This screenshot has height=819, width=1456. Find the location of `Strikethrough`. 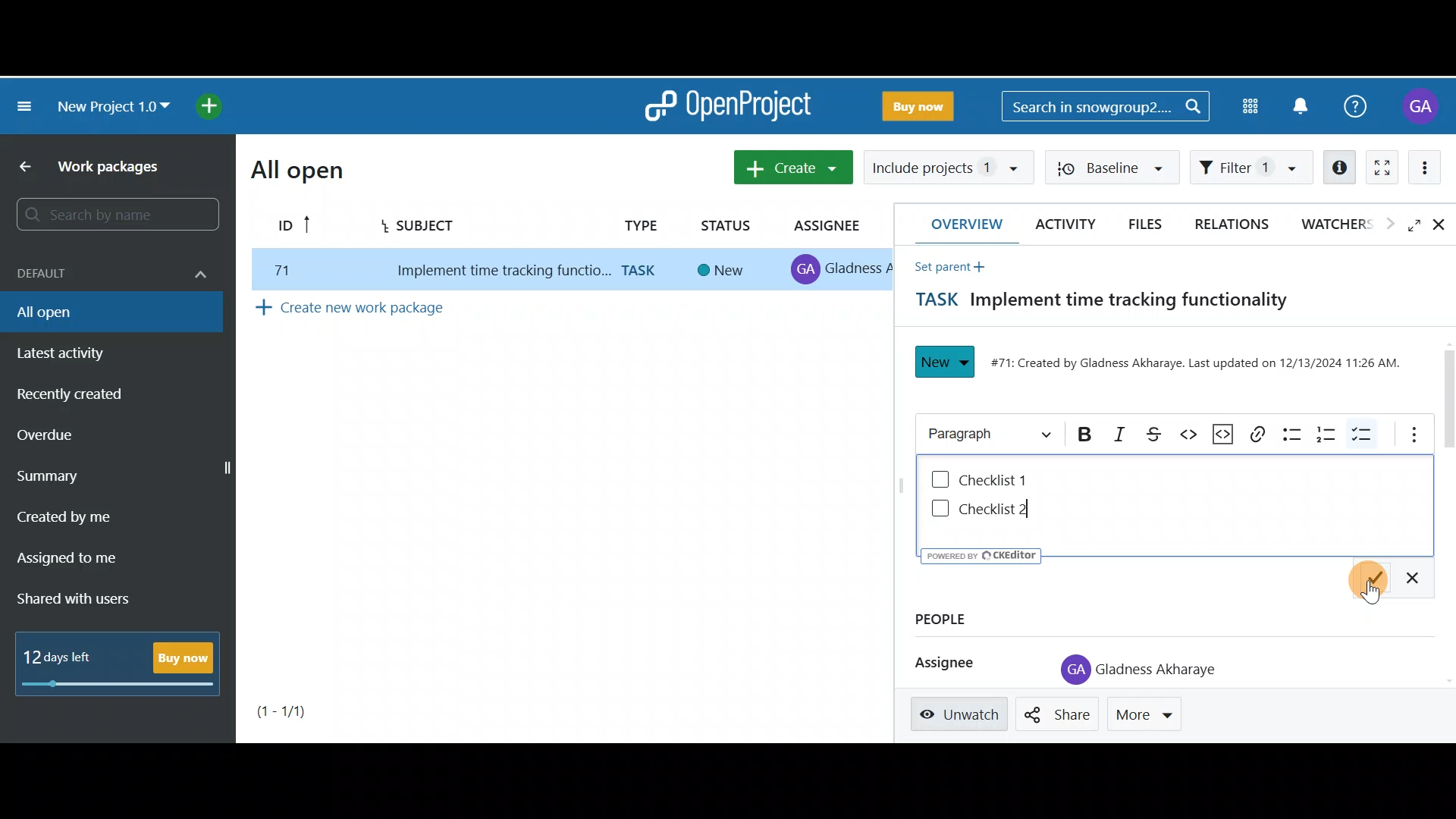

Strikethrough is located at coordinates (1160, 434).